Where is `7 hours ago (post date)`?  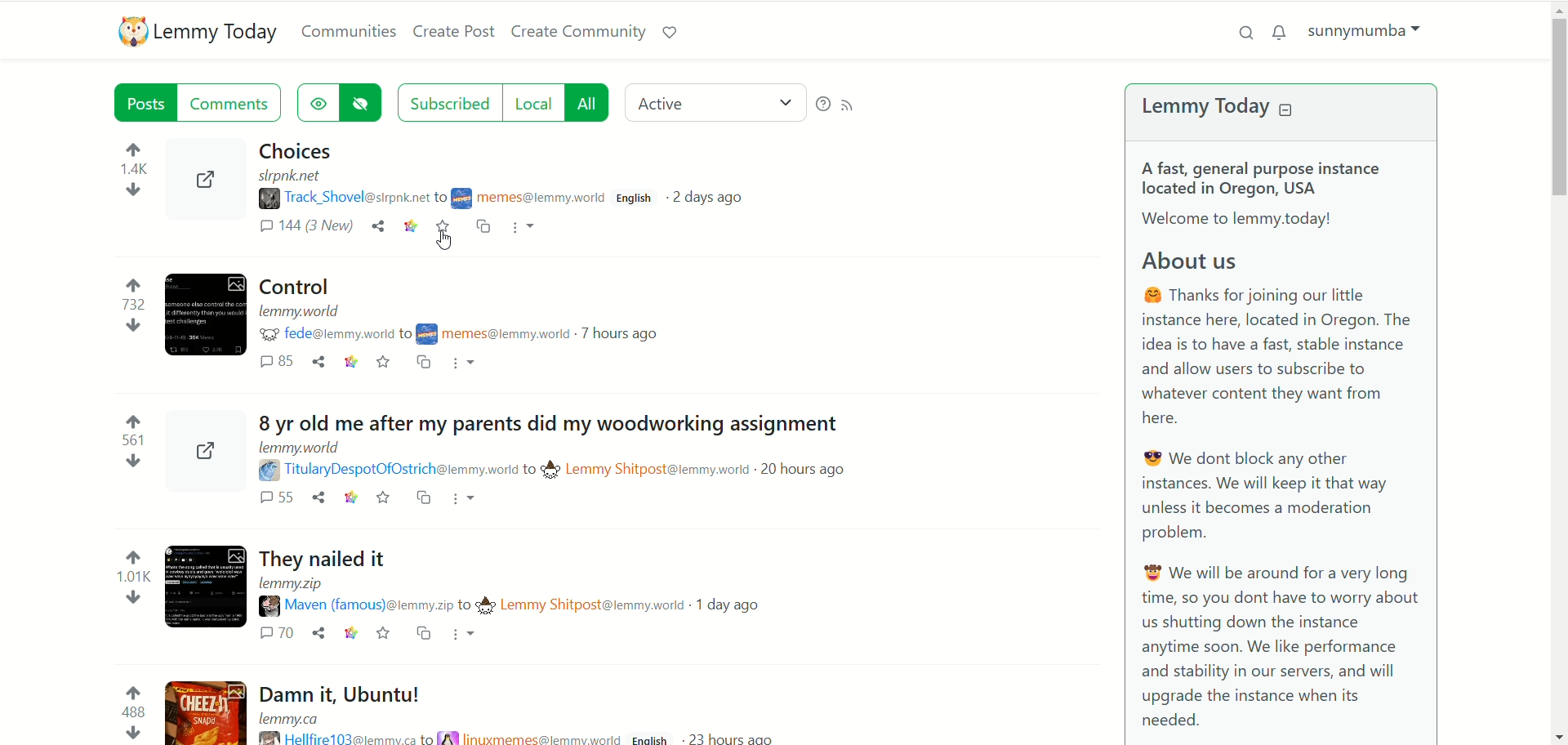 7 hours ago (post date) is located at coordinates (624, 337).